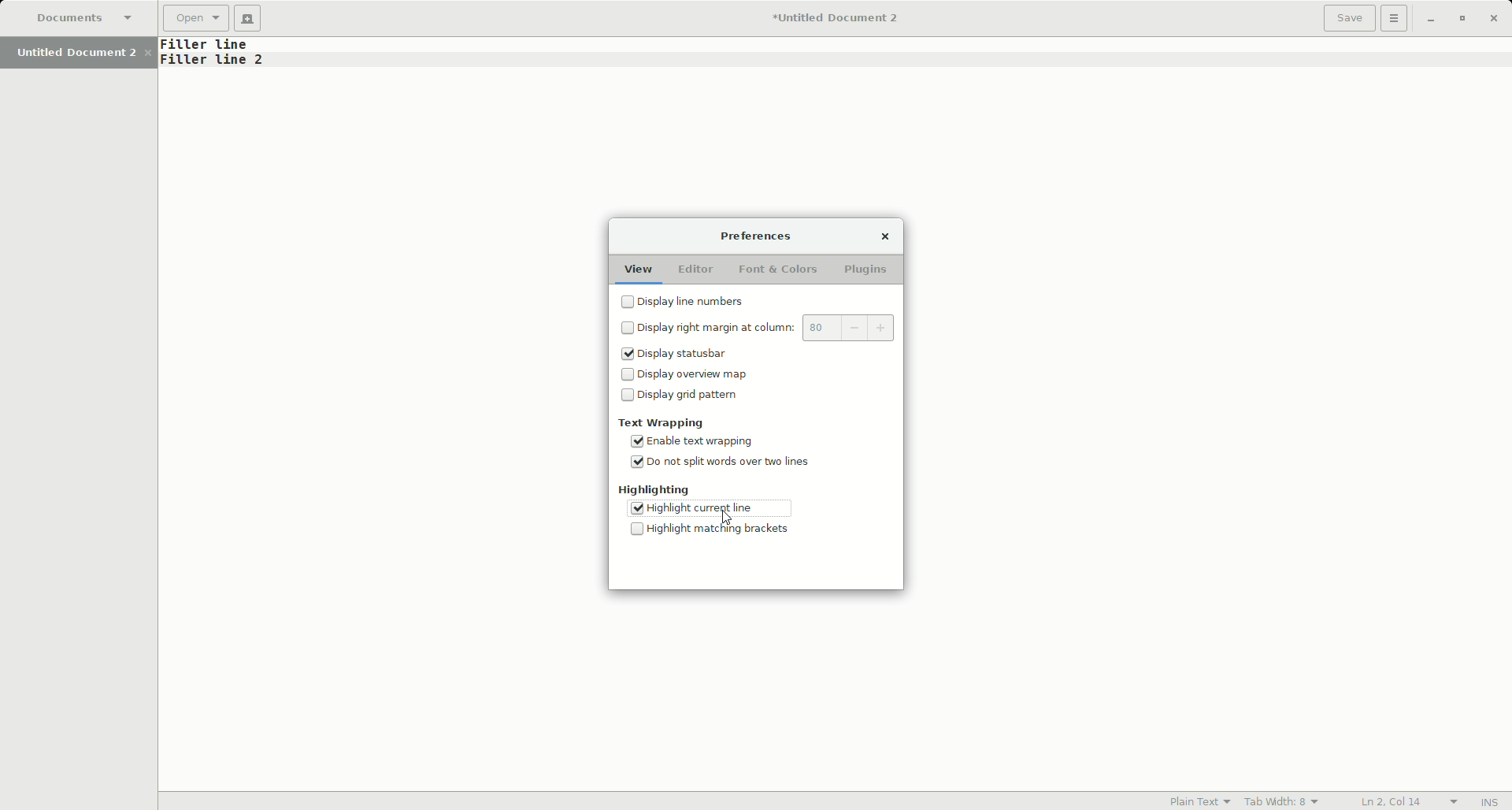 Image resolution: width=1512 pixels, height=810 pixels. Describe the element at coordinates (727, 518) in the screenshot. I see `Cursor` at that location.